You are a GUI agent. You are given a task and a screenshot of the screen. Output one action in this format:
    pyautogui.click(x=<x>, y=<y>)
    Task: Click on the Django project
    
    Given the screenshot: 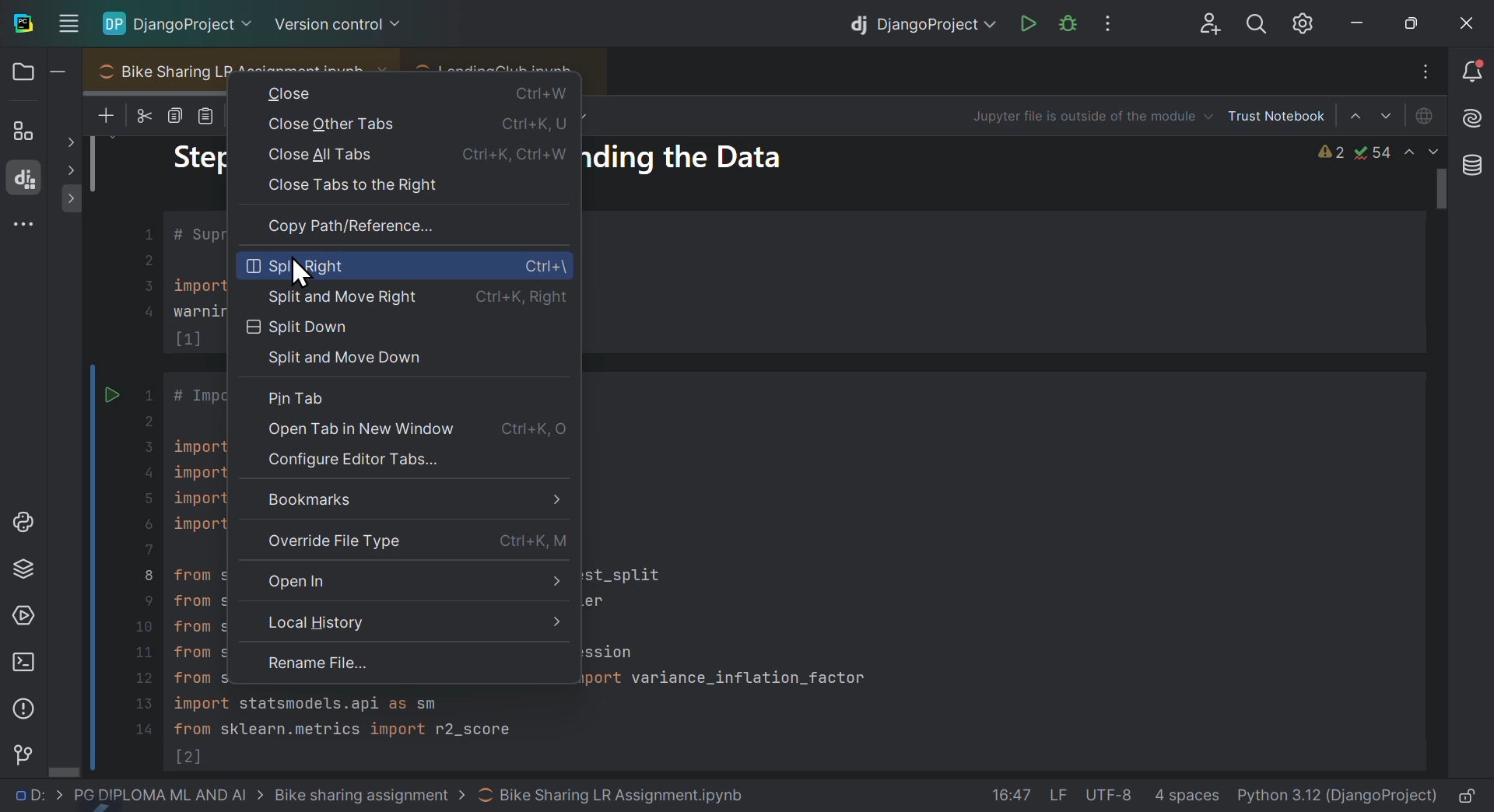 What is the action you would take?
    pyautogui.click(x=181, y=20)
    